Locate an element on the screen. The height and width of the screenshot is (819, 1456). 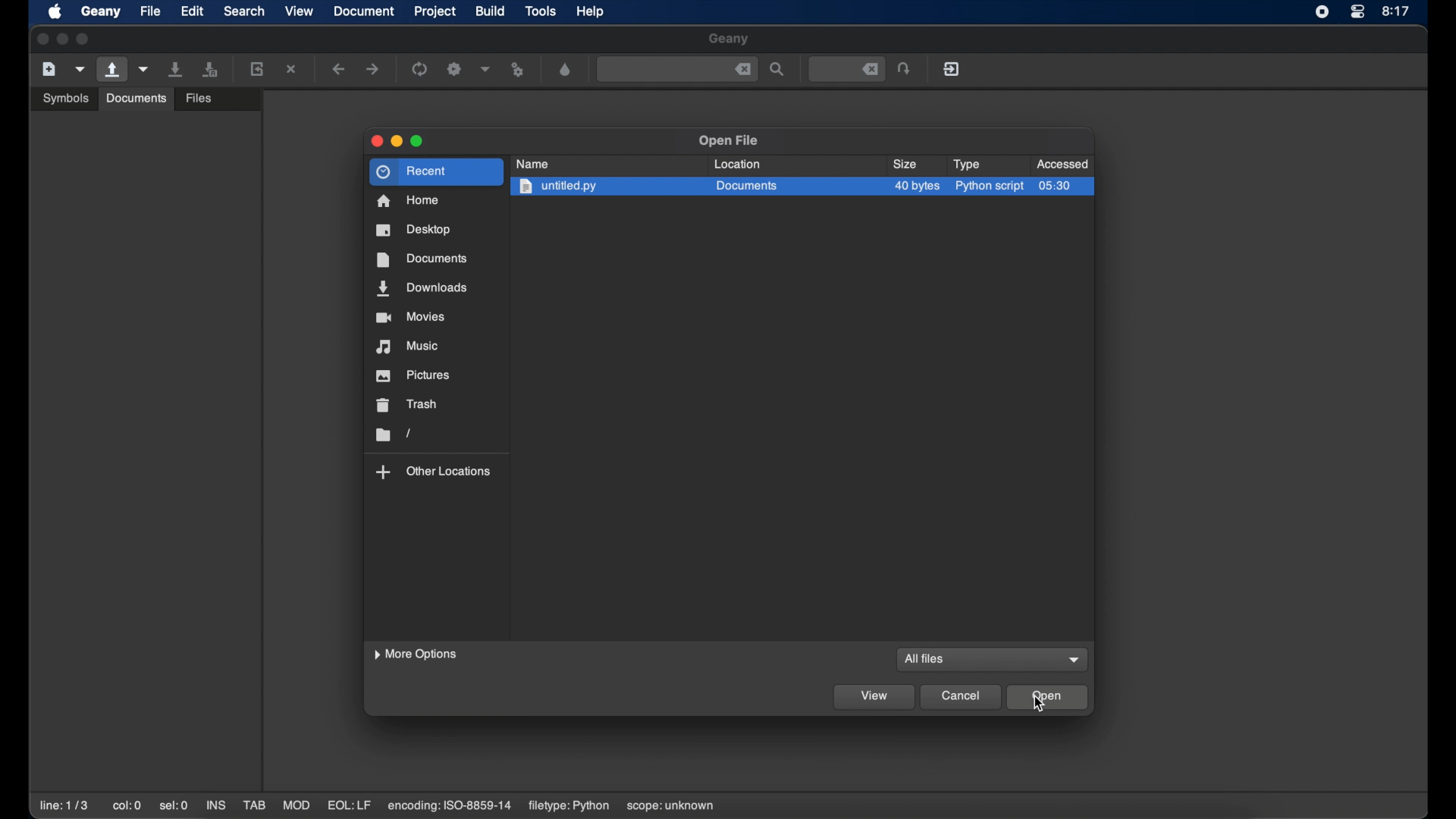
symbols is located at coordinates (67, 98).